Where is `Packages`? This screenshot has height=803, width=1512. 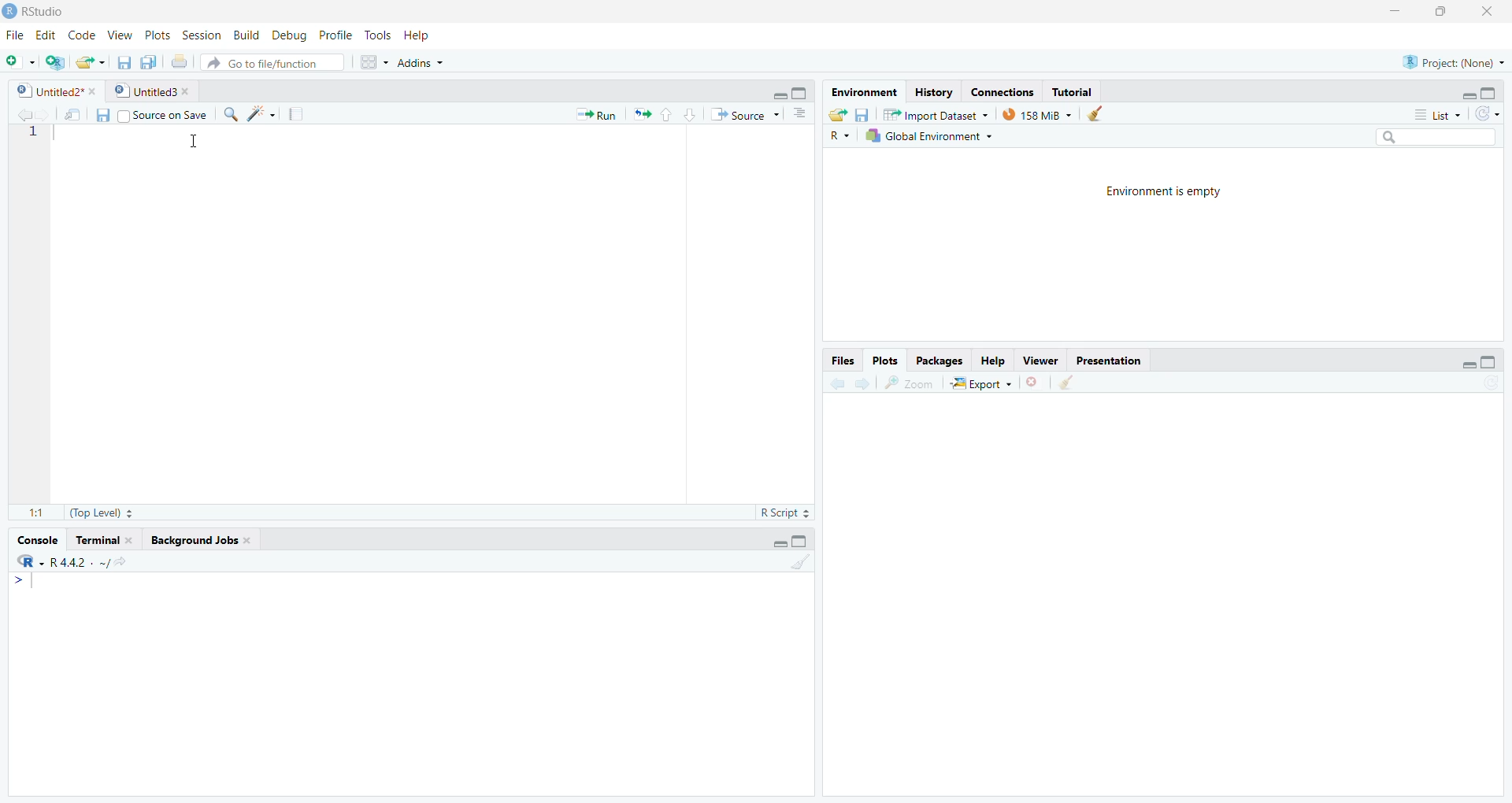 Packages is located at coordinates (937, 360).